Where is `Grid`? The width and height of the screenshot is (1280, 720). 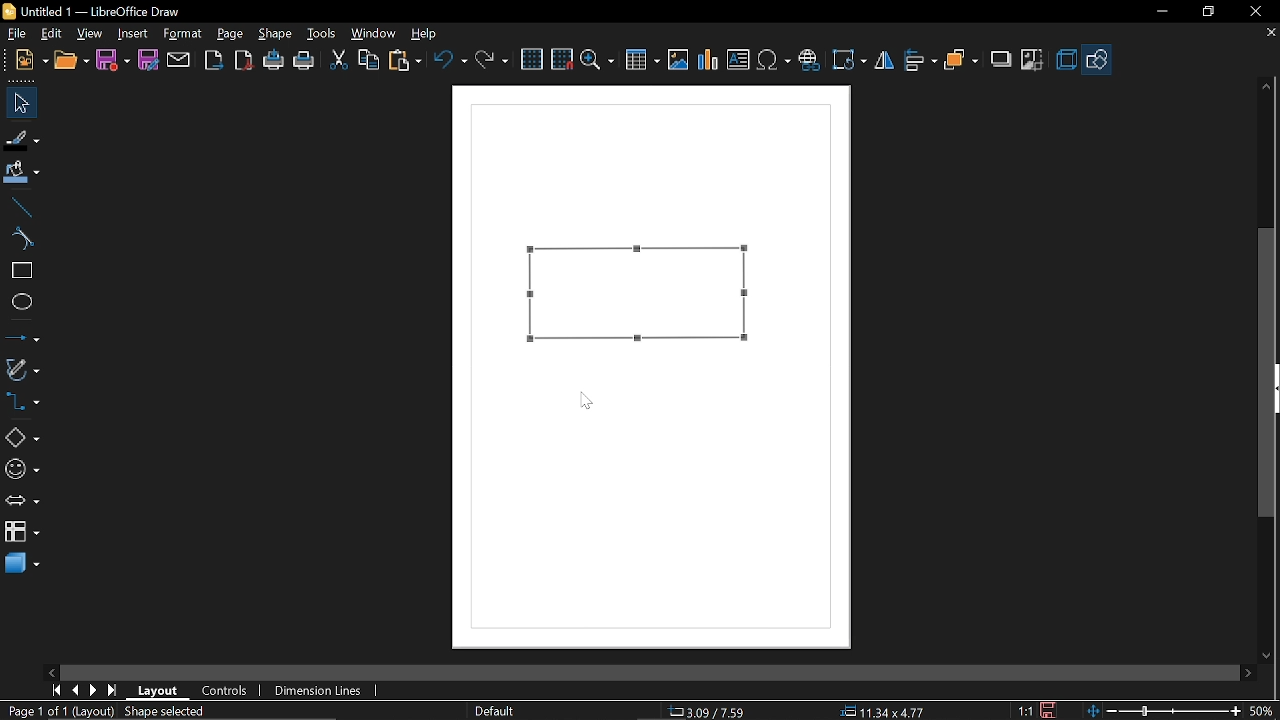
Grid is located at coordinates (533, 59).